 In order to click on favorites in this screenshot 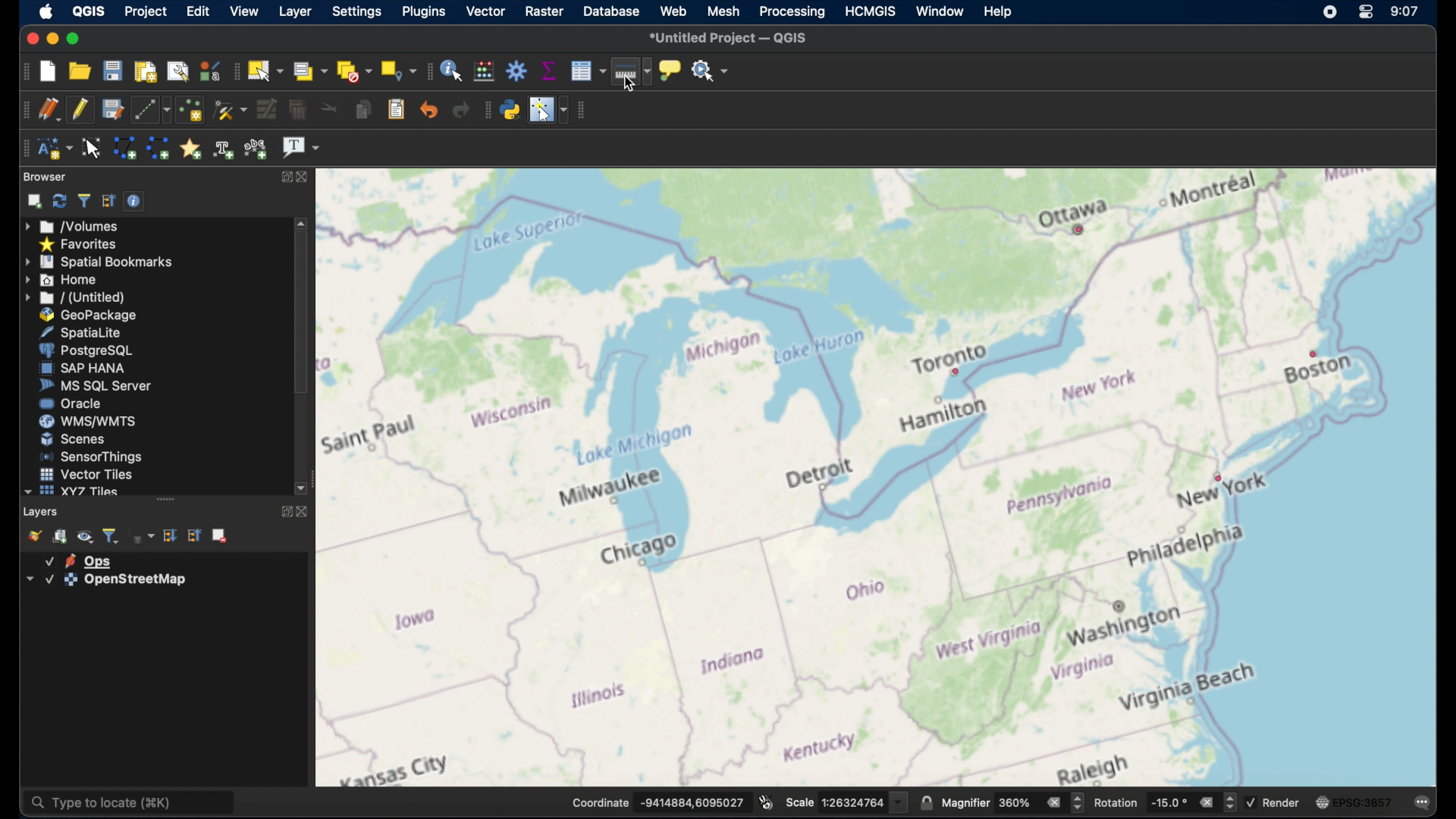, I will do `click(80, 243)`.